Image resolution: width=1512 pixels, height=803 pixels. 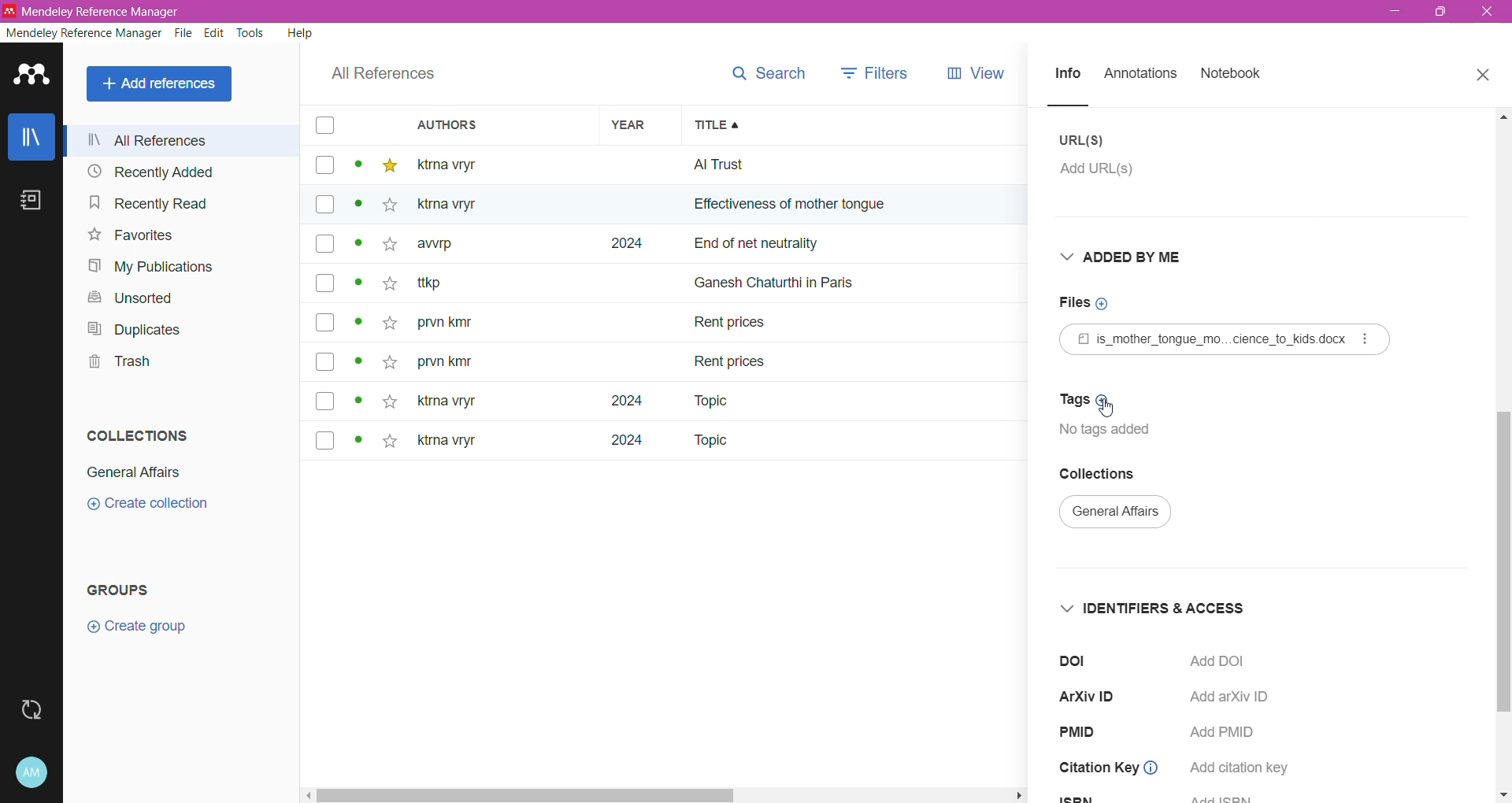 What do you see at coordinates (486, 124) in the screenshot?
I see `Authors` at bounding box center [486, 124].